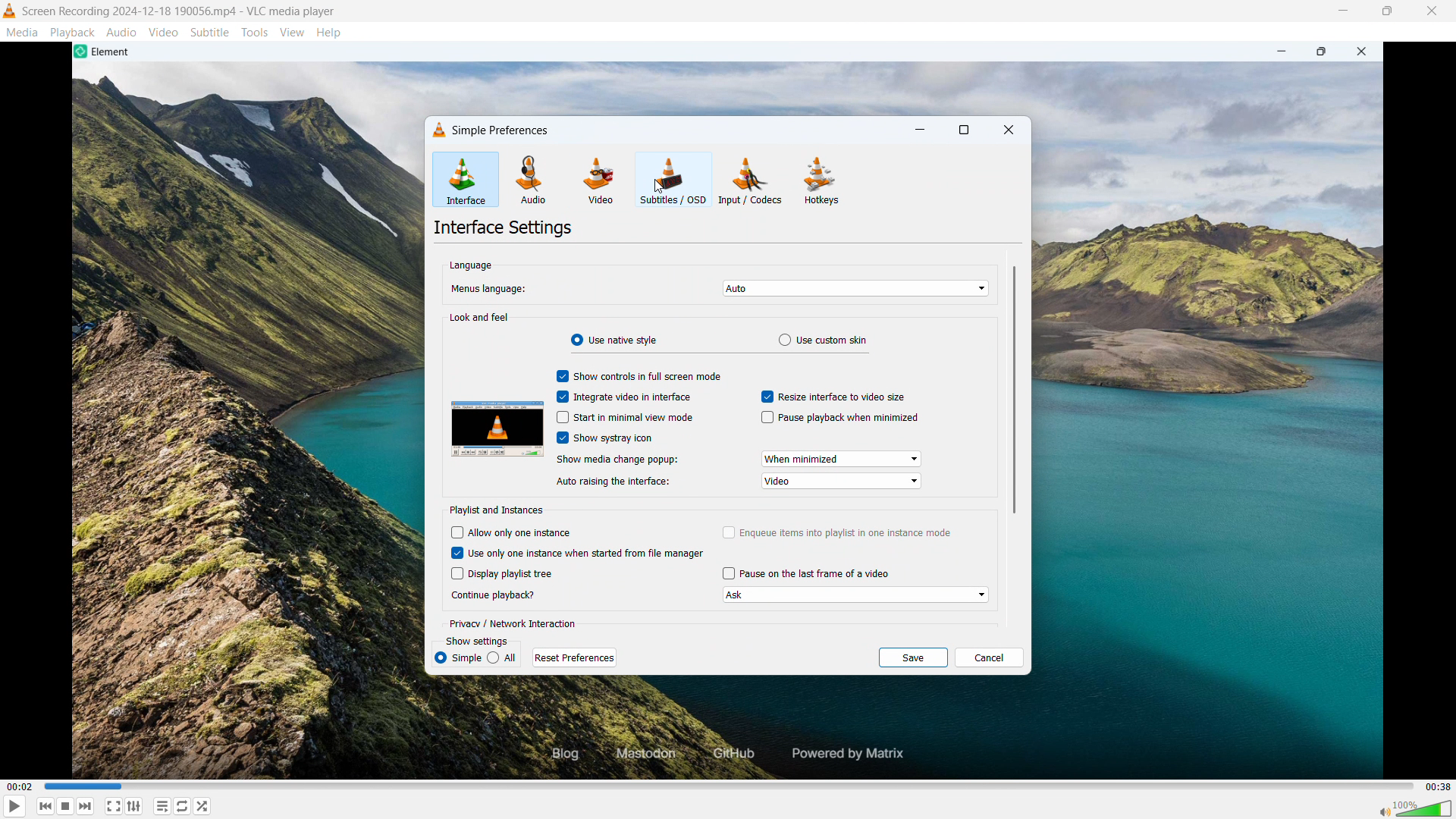  Describe the element at coordinates (660, 187) in the screenshot. I see `cursor ` at that location.